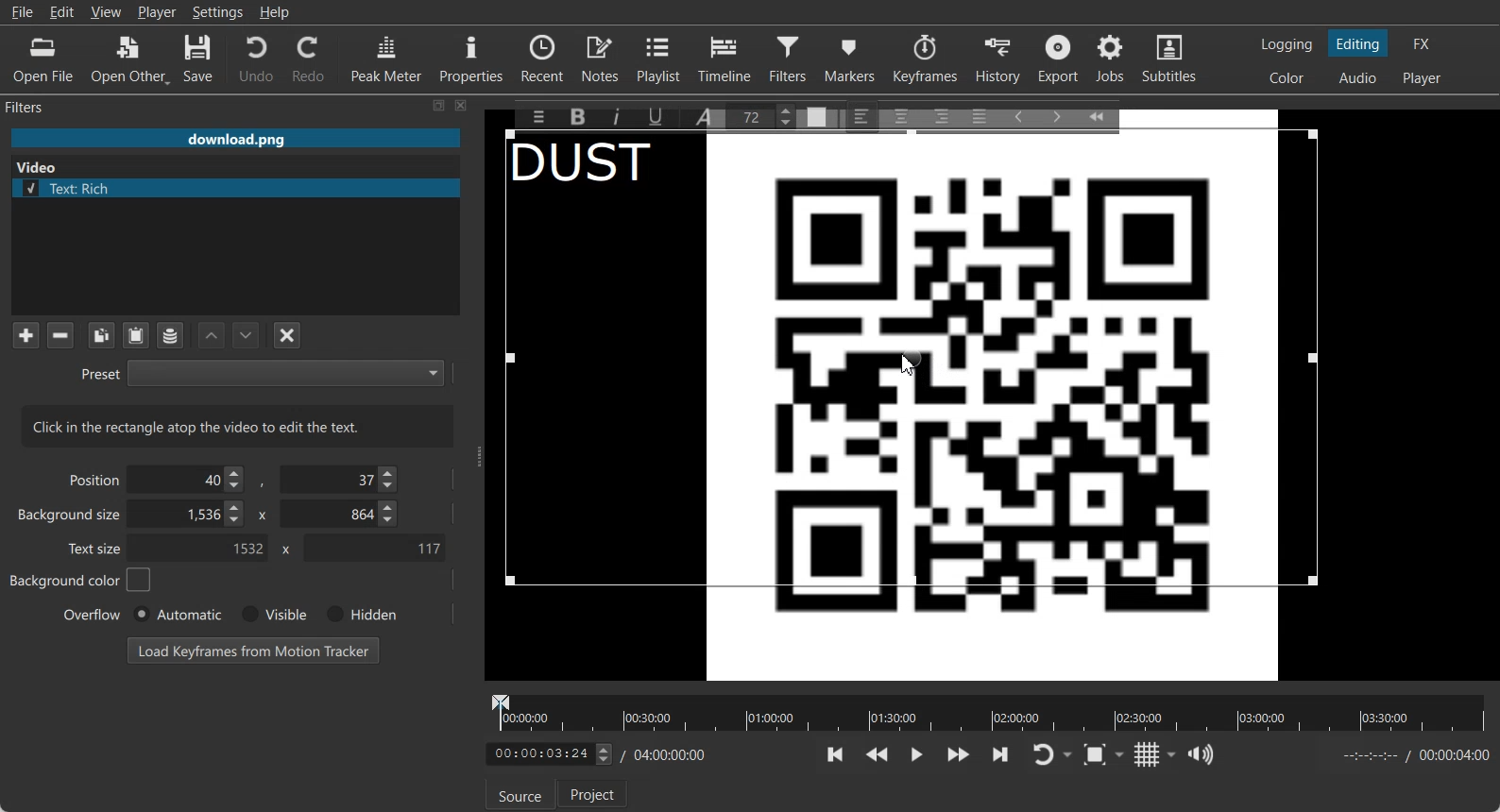 The height and width of the screenshot is (812, 1500). What do you see at coordinates (22, 12) in the screenshot?
I see `File` at bounding box center [22, 12].